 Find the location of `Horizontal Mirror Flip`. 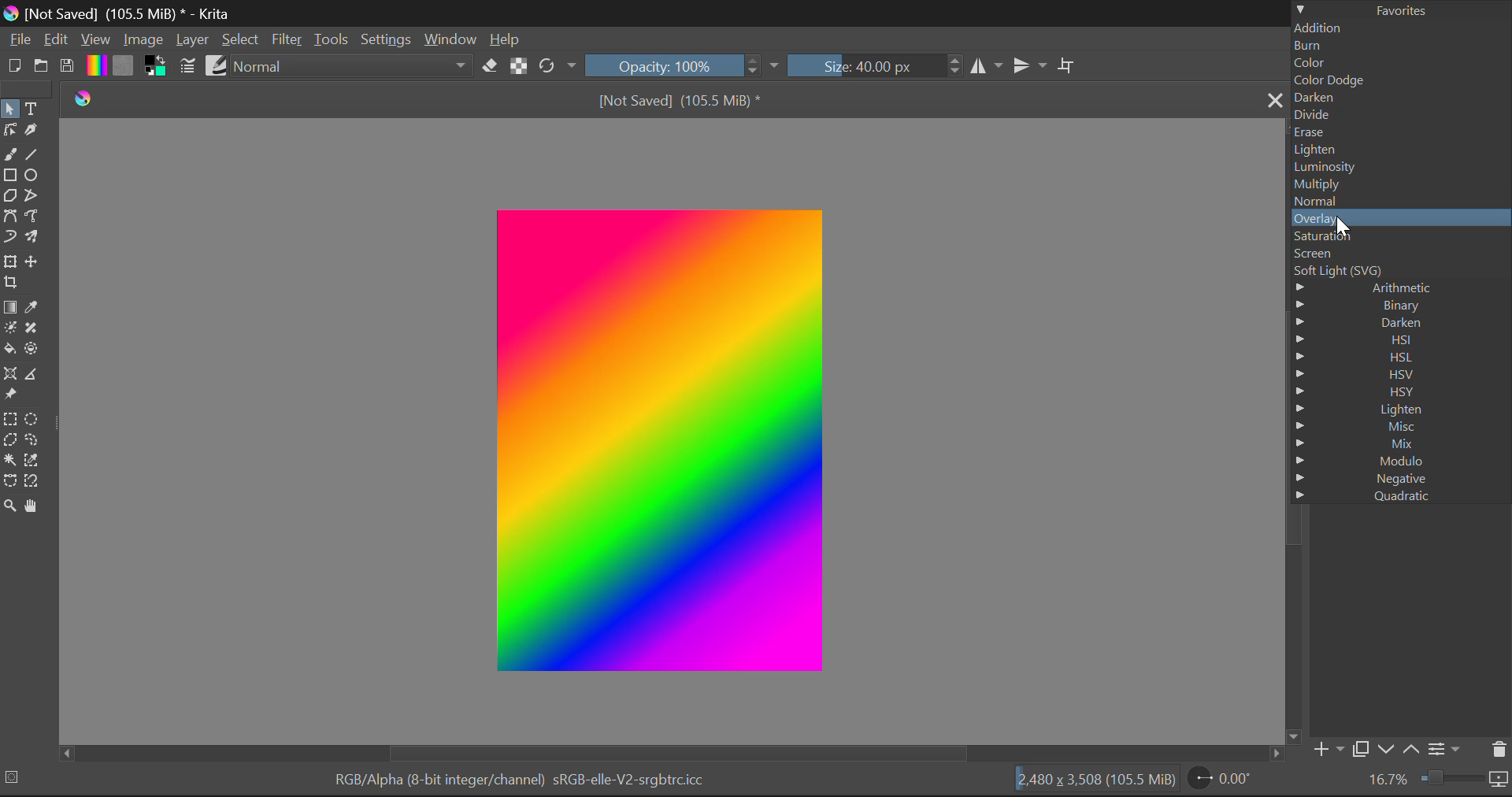

Horizontal Mirror Flip is located at coordinates (1027, 65).